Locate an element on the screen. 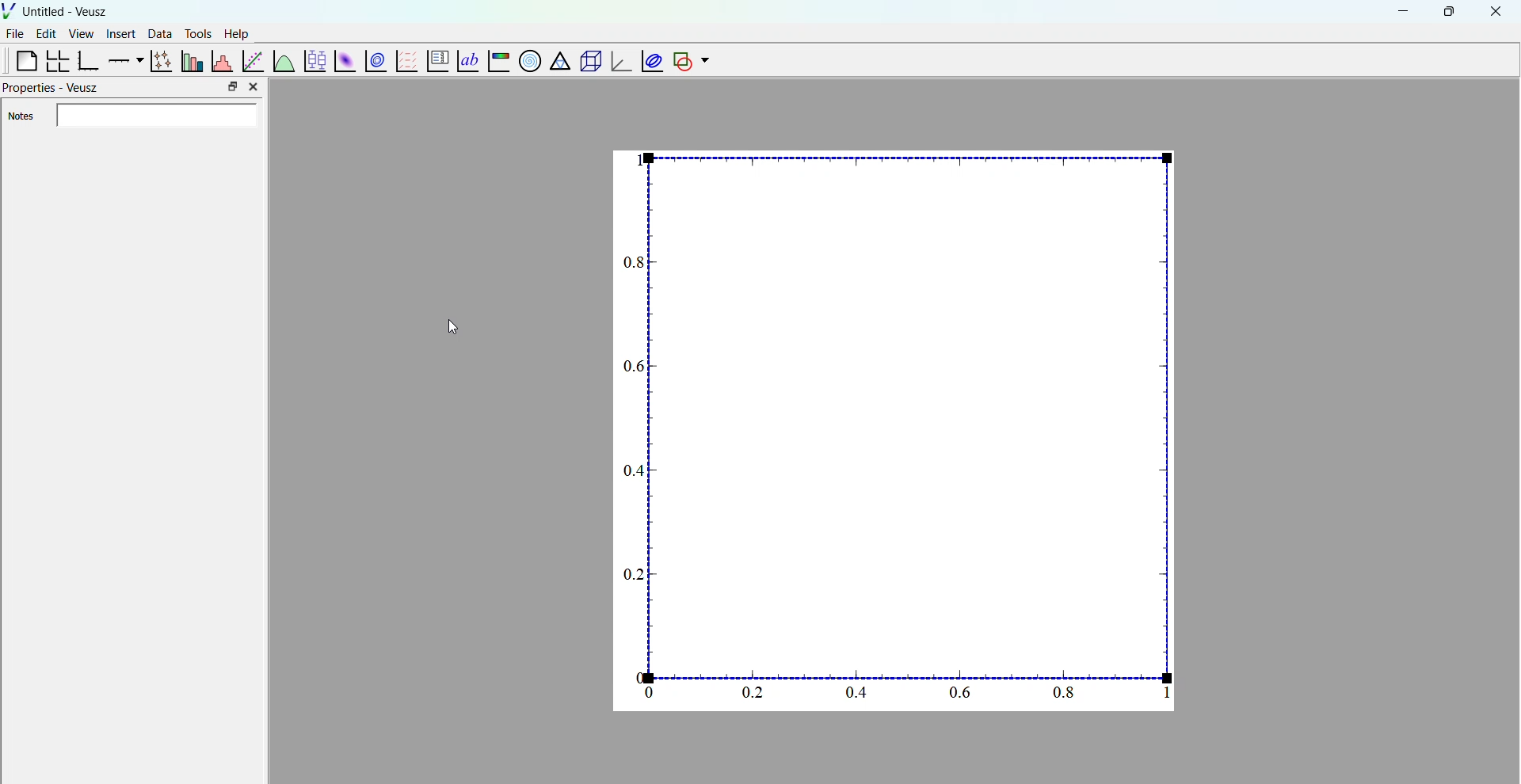 The width and height of the screenshot is (1521, 784). plot bar chats is located at coordinates (190, 61).